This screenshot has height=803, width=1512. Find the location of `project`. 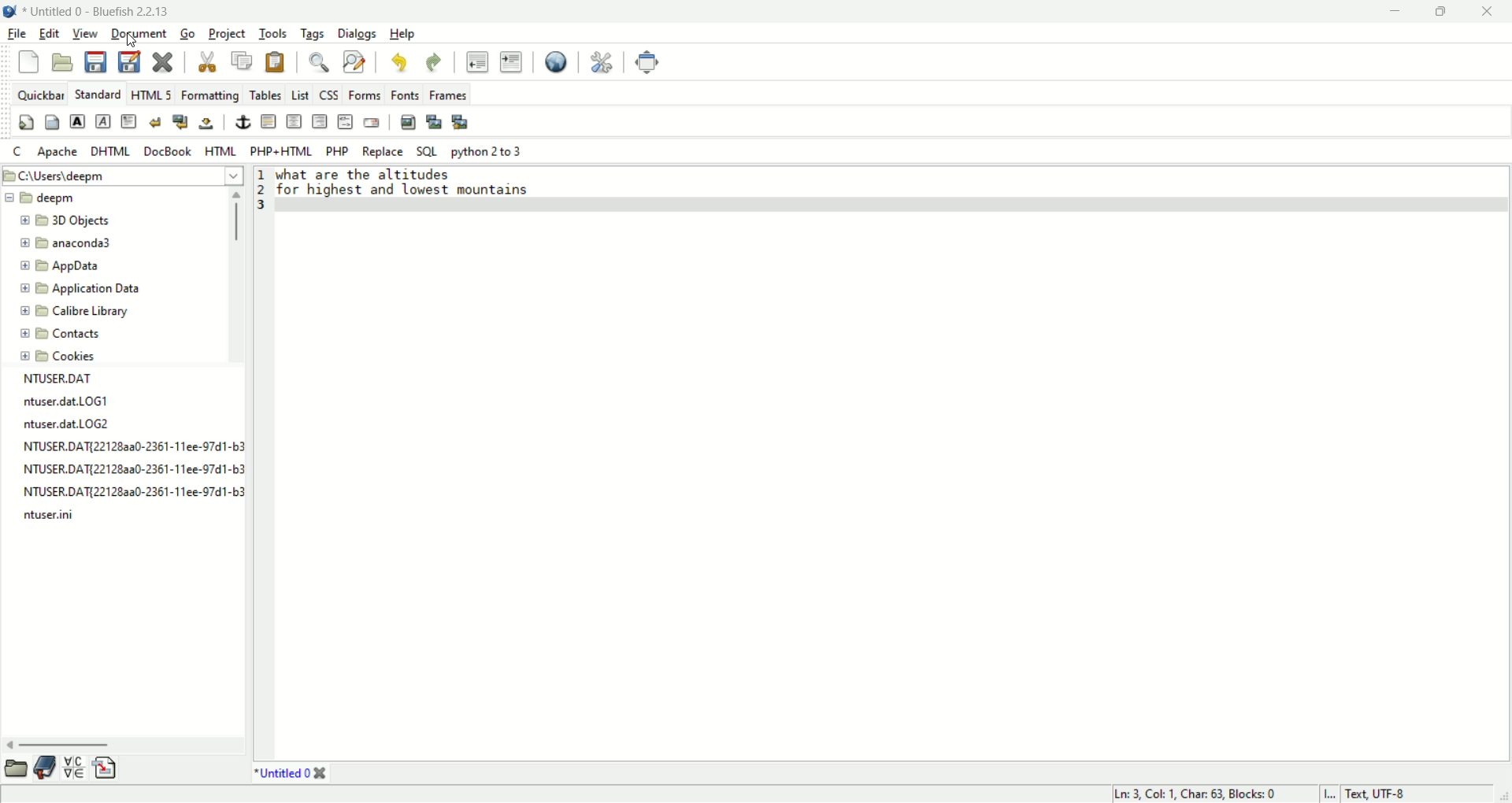

project is located at coordinates (227, 35).